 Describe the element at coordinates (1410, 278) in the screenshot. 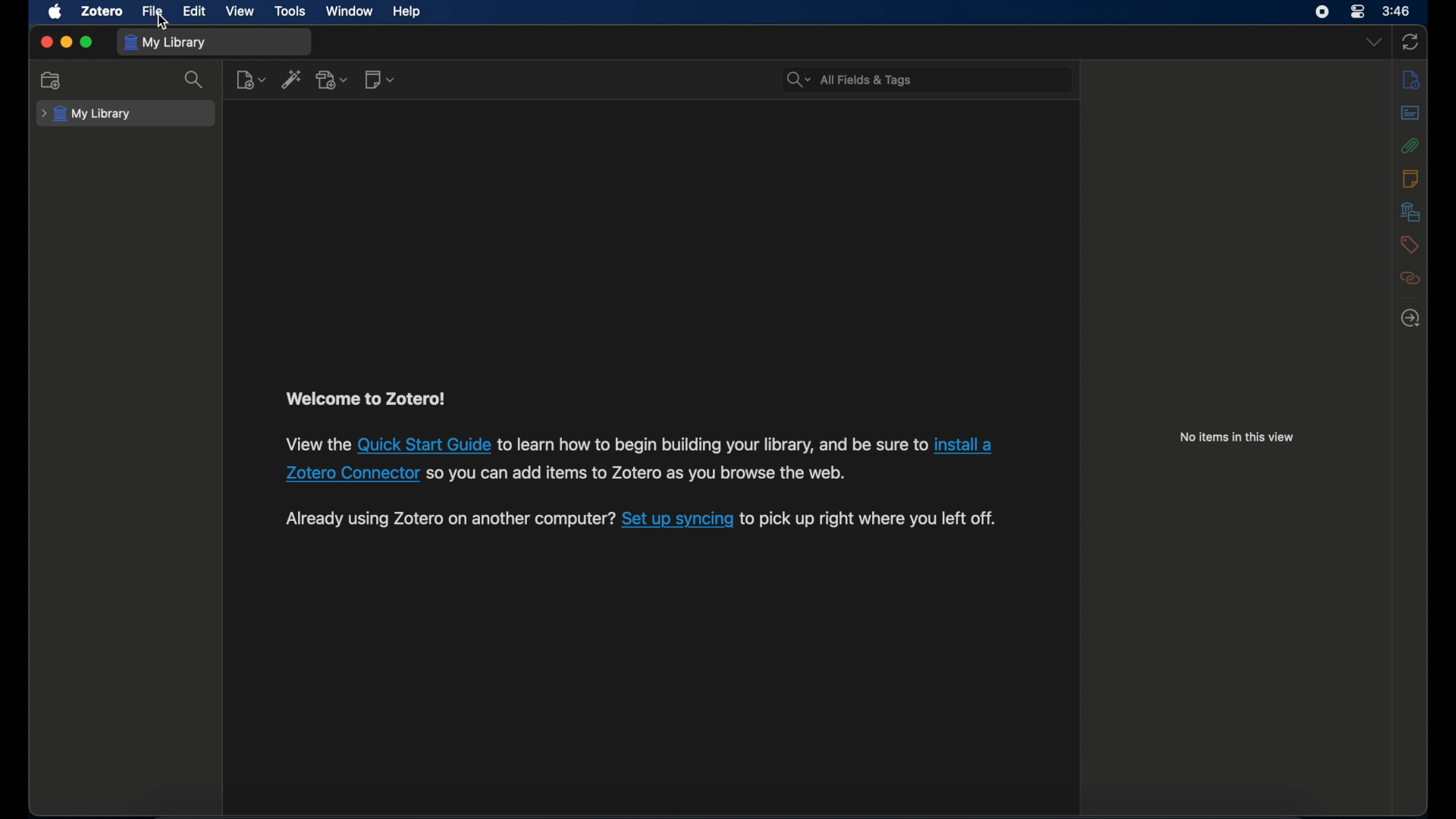

I see `related` at that location.